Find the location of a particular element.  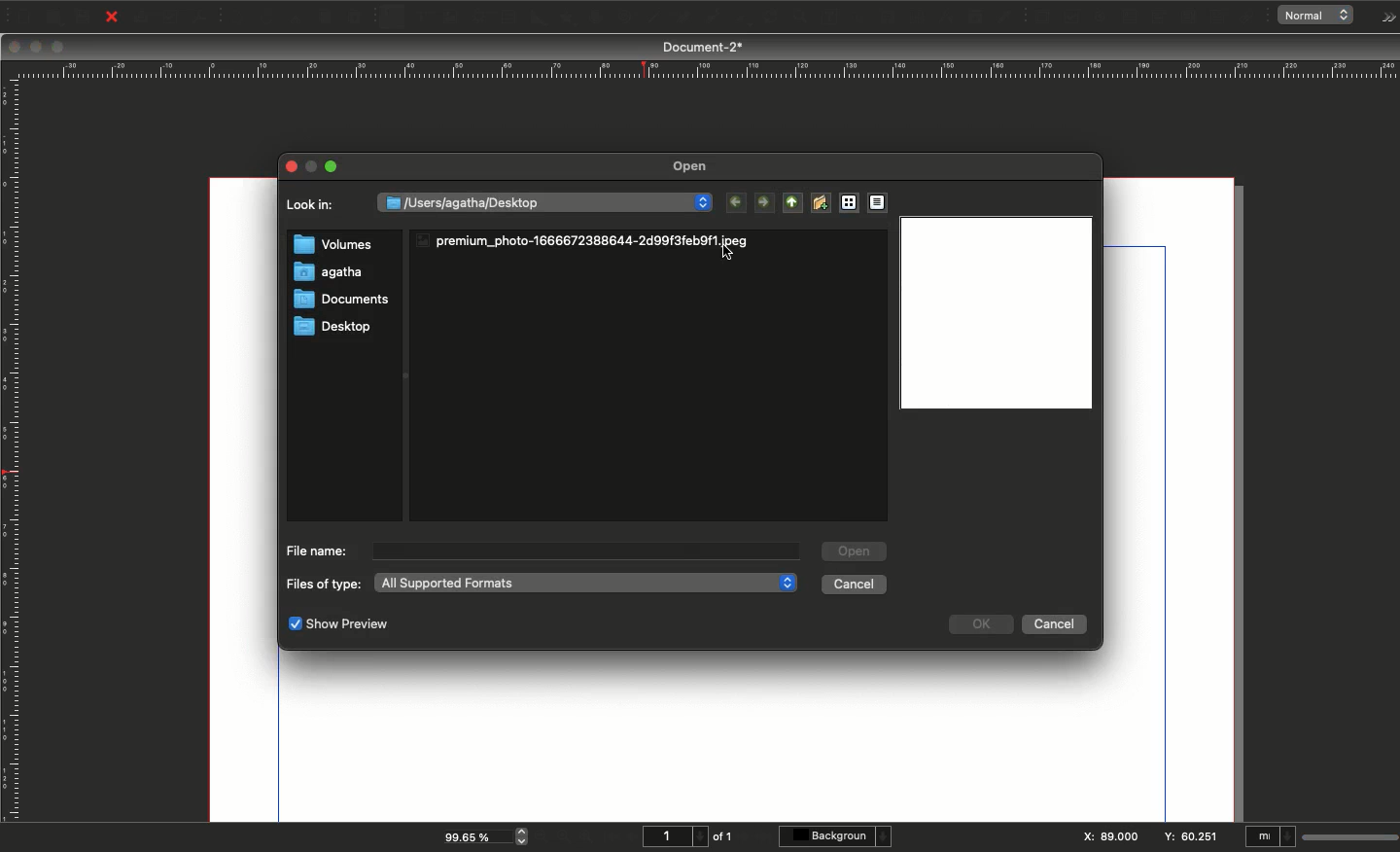

Cut is located at coordinates (296, 18).